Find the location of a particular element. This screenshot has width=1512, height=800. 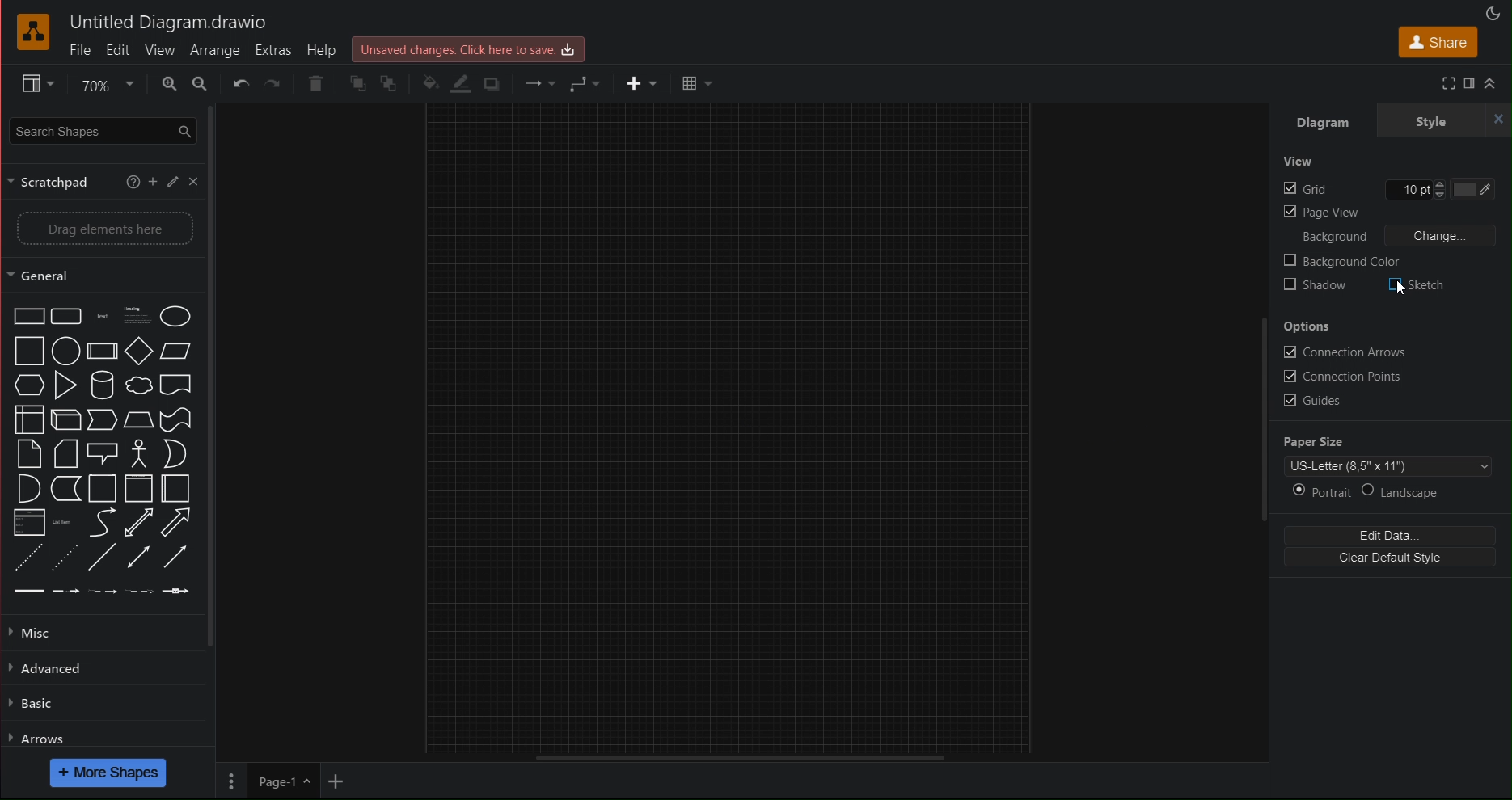

Zoom In is located at coordinates (164, 83).